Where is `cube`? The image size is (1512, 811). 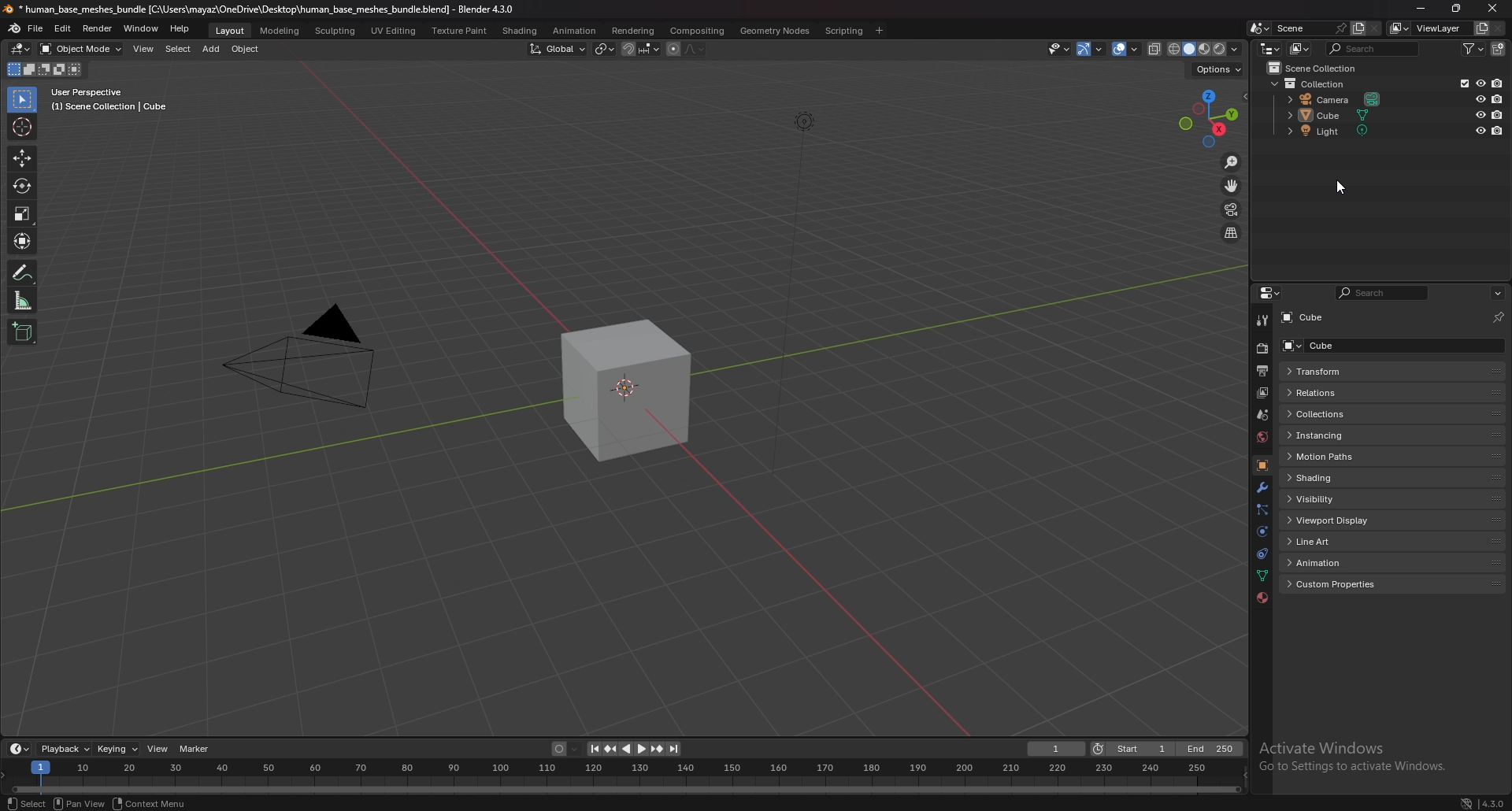
cube is located at coordinates (1340, 115).